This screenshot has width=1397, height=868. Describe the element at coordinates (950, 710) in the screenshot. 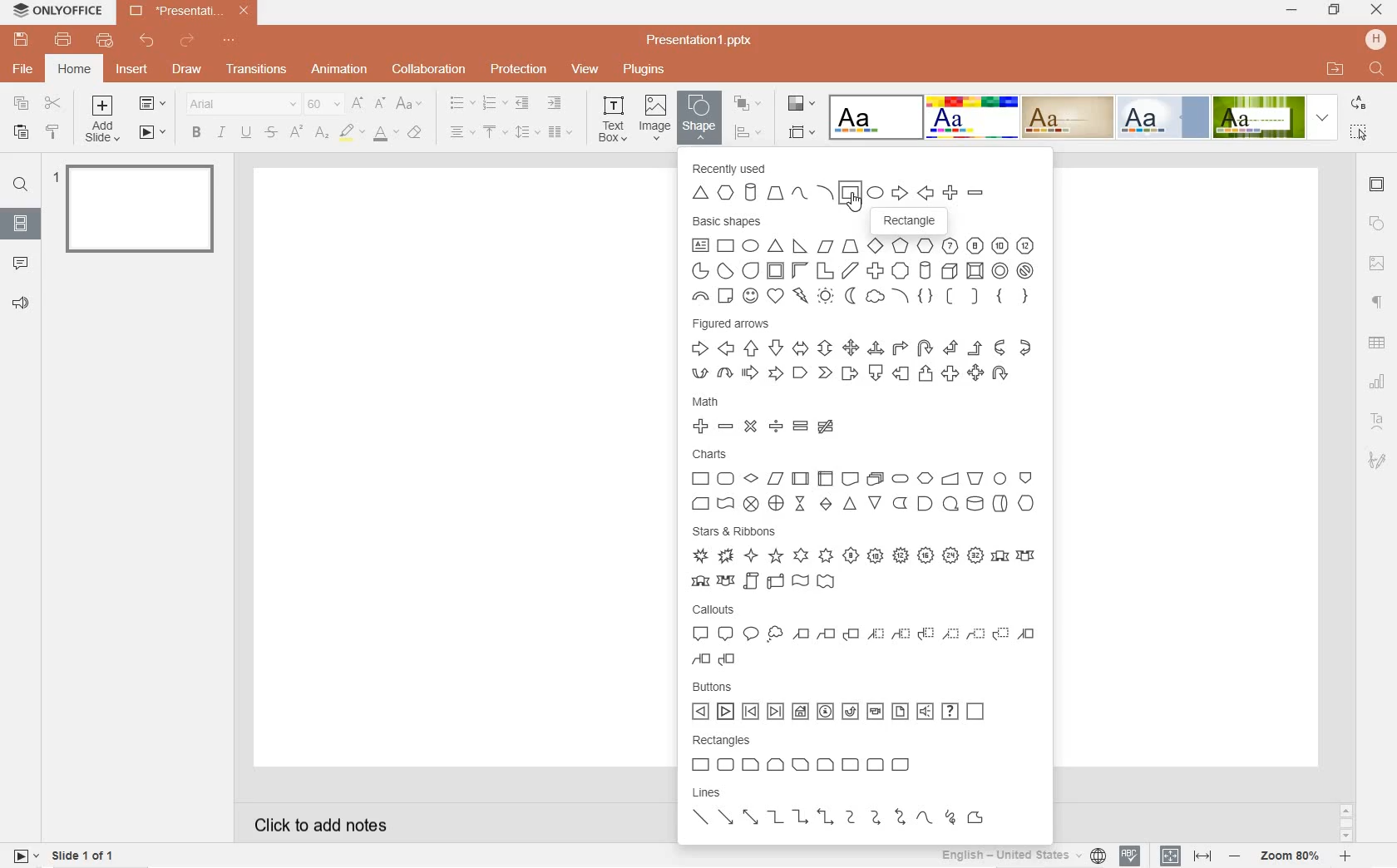

I see `Help button` at that location.